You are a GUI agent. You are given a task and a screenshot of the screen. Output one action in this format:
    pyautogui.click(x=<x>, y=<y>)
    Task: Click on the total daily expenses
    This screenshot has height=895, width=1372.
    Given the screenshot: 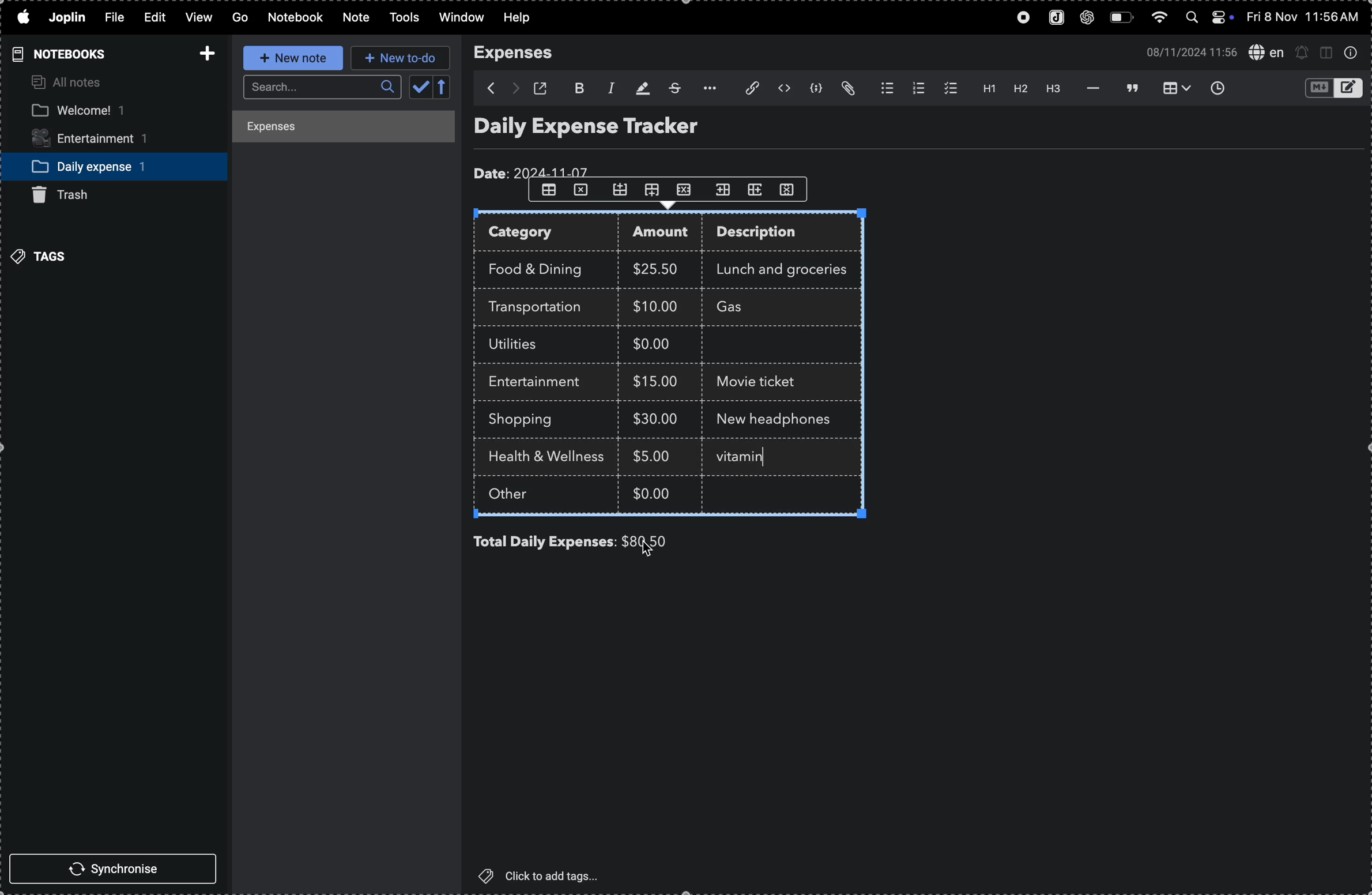 What is the action you would take?
    pyautogui.click(x=545, y=542)
    